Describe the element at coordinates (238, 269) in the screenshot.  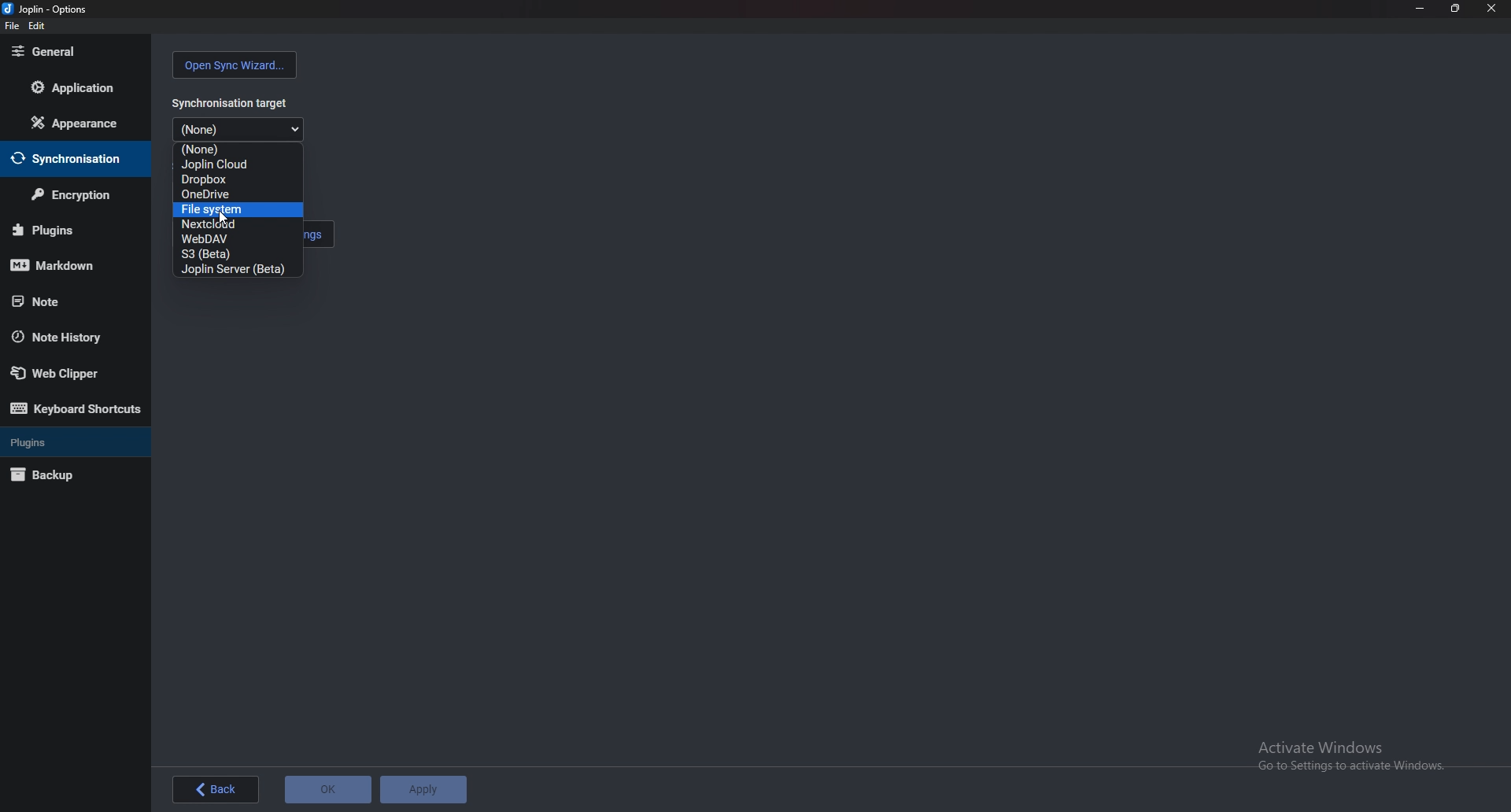
I see `joplin server` at that location.